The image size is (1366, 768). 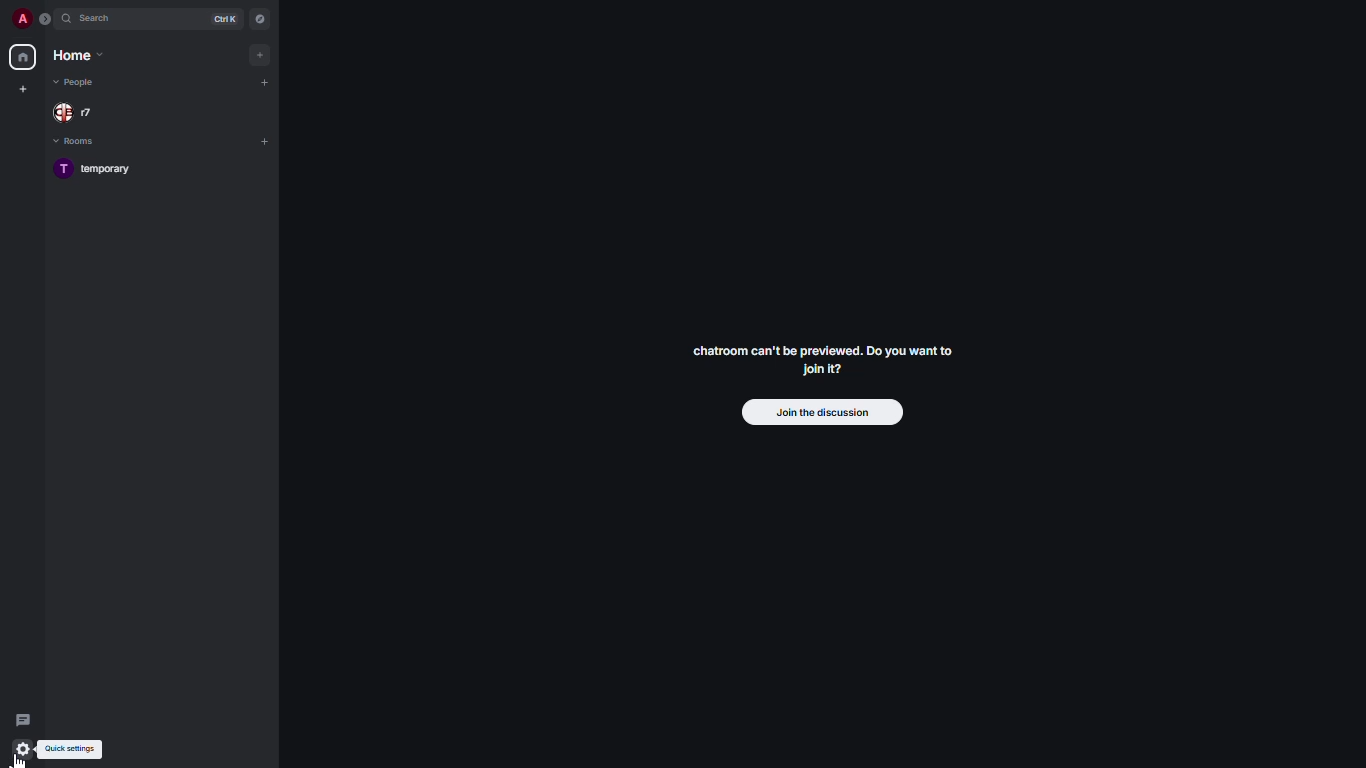 What do you see at coordinates (264, 82) in the screenshot?
I see `add` at bounding box center [264, 82].